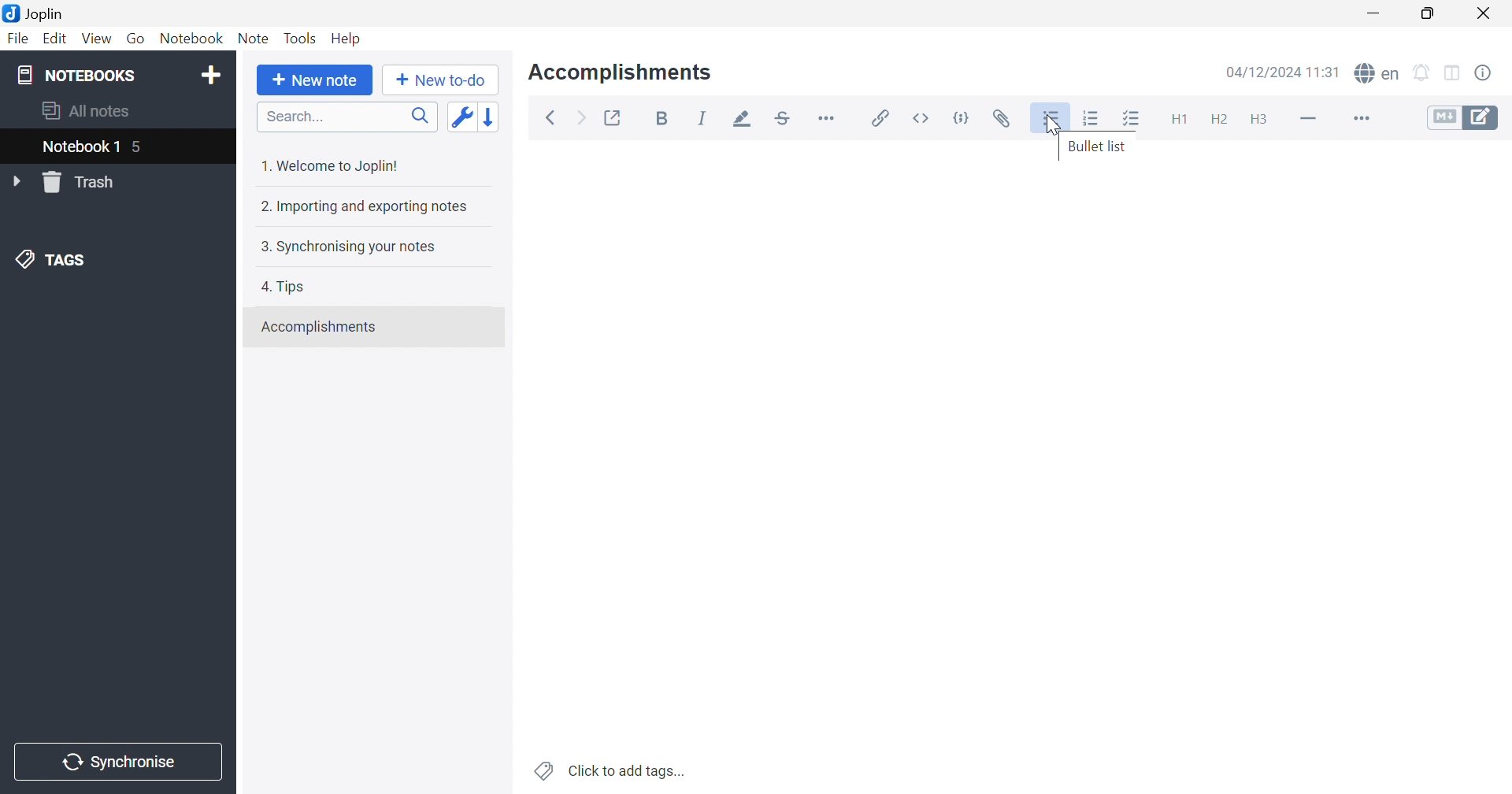 This screenshot has width=1512, height=794. I want to click on Help, so click(347, 36).